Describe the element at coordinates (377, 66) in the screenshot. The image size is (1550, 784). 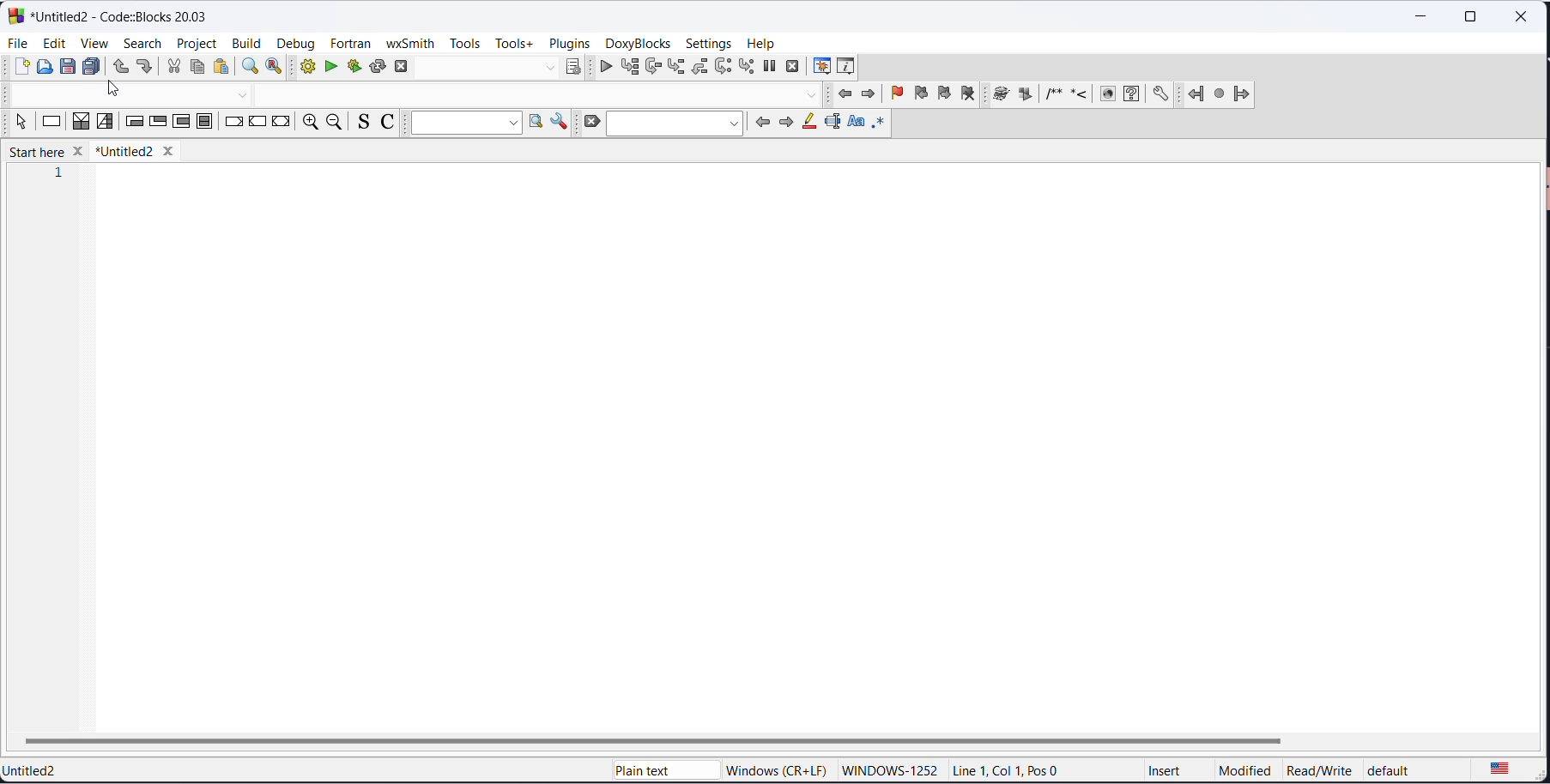
I see `rebuild` at that location.